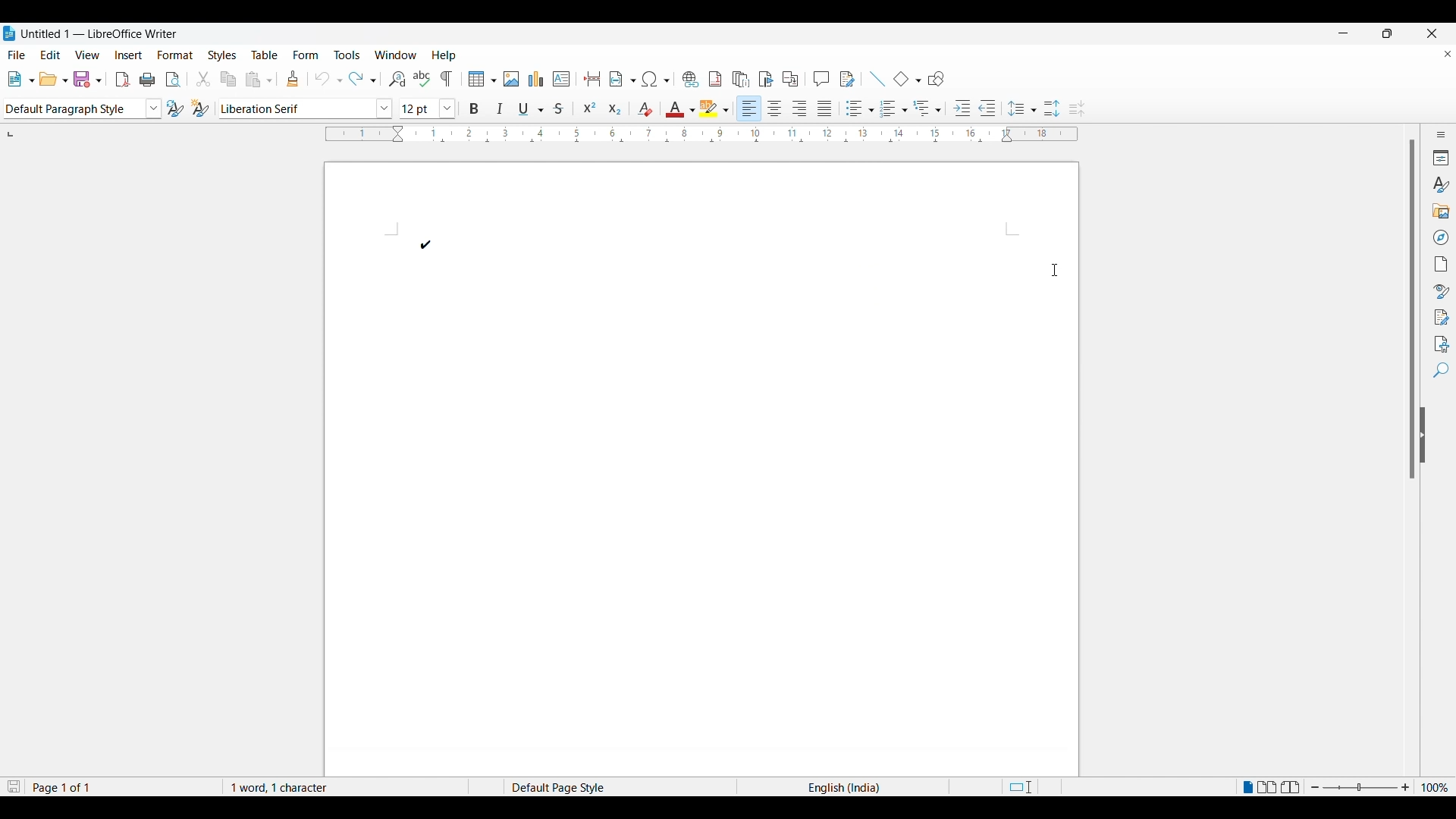 The height and width of the screenshot is (819, 1456). I want to click on font size, so click(425, 108).